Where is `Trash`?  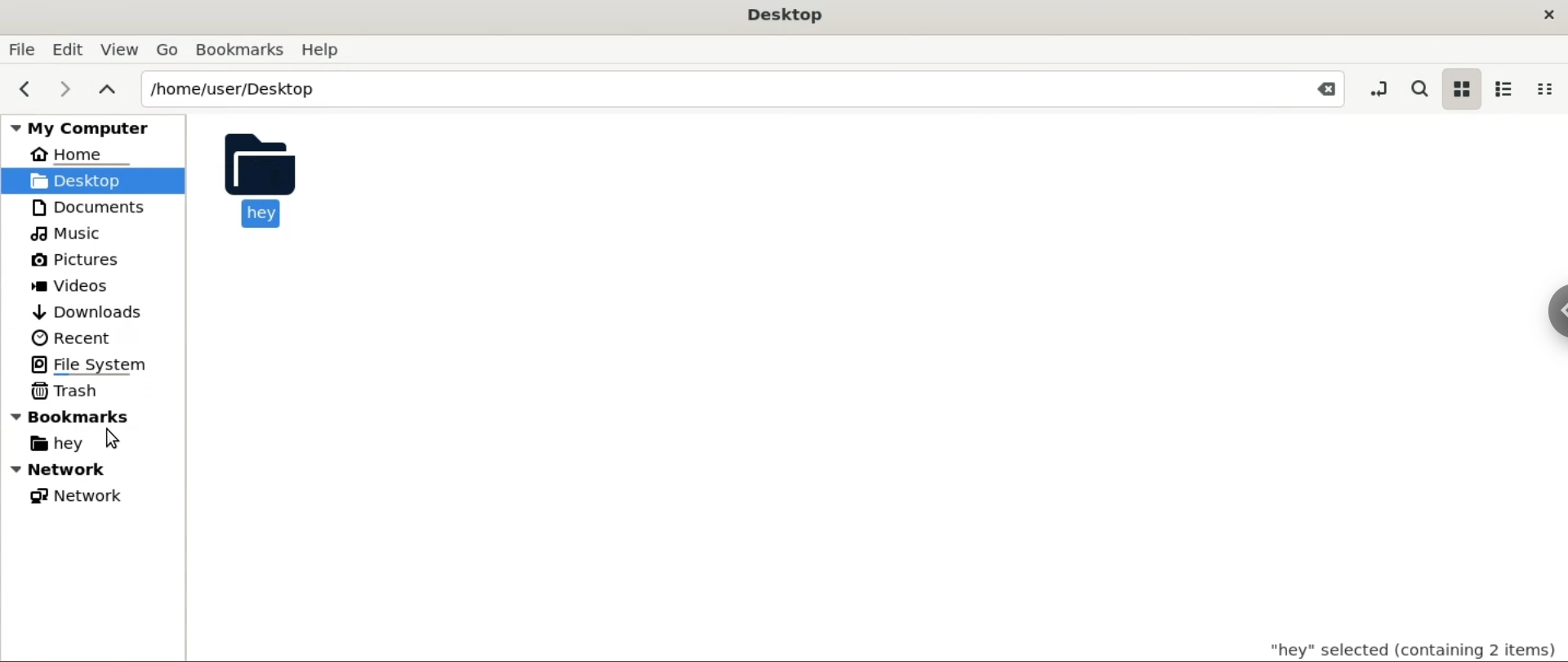
Trash is located at coordinates (73, 391).